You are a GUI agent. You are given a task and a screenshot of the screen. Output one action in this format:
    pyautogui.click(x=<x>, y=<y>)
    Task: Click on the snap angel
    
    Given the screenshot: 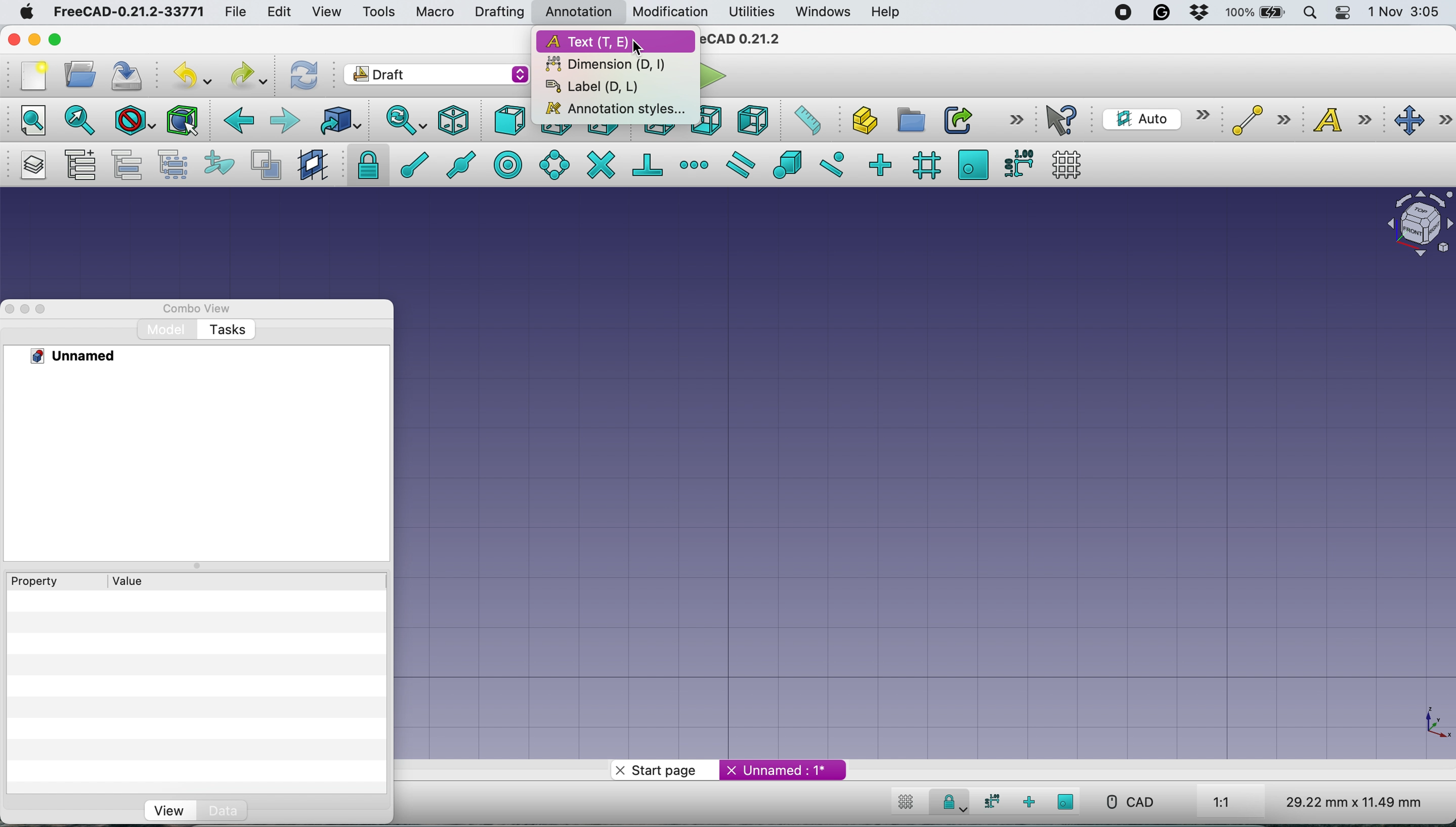 What is the action you would take?
    pyautogui.click(x=553, y=162)
    